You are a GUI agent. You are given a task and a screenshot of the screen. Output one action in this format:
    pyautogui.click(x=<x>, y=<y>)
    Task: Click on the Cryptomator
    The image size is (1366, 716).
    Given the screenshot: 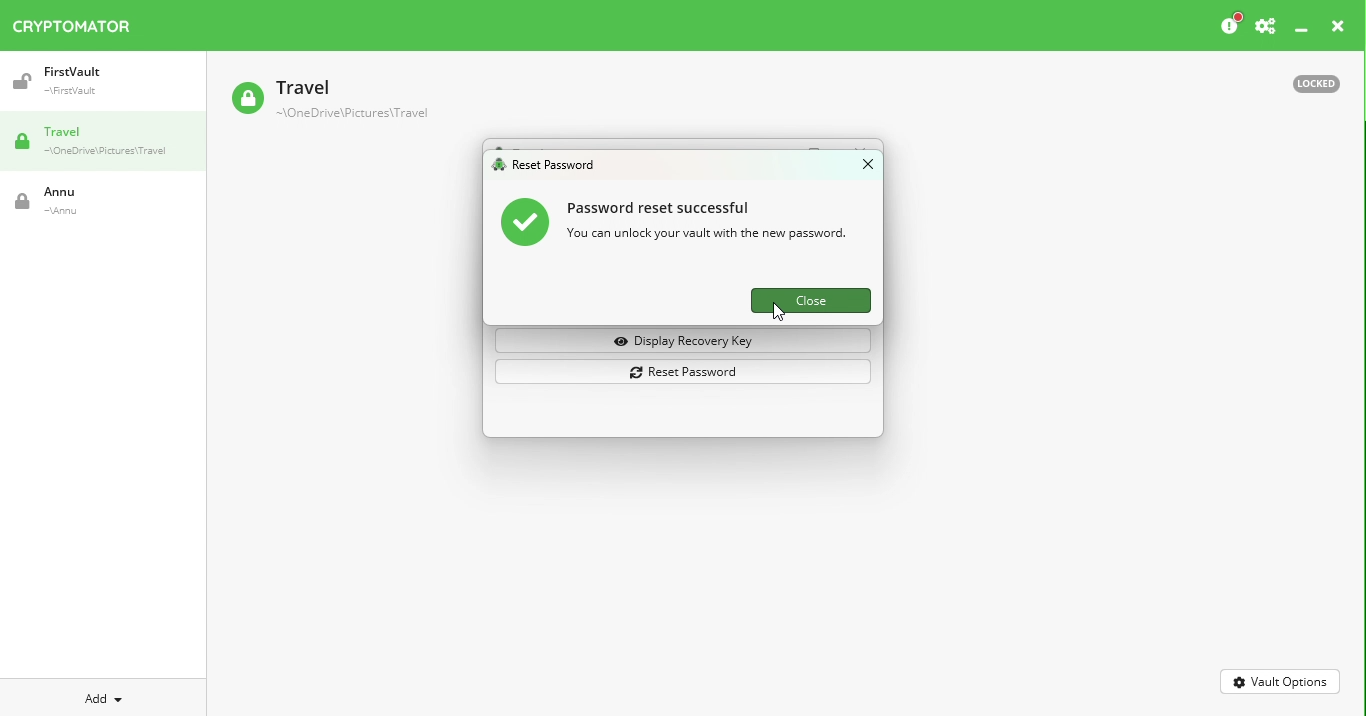 What is the action you would take?
    pyautogui.click(x=72, y=22)
    